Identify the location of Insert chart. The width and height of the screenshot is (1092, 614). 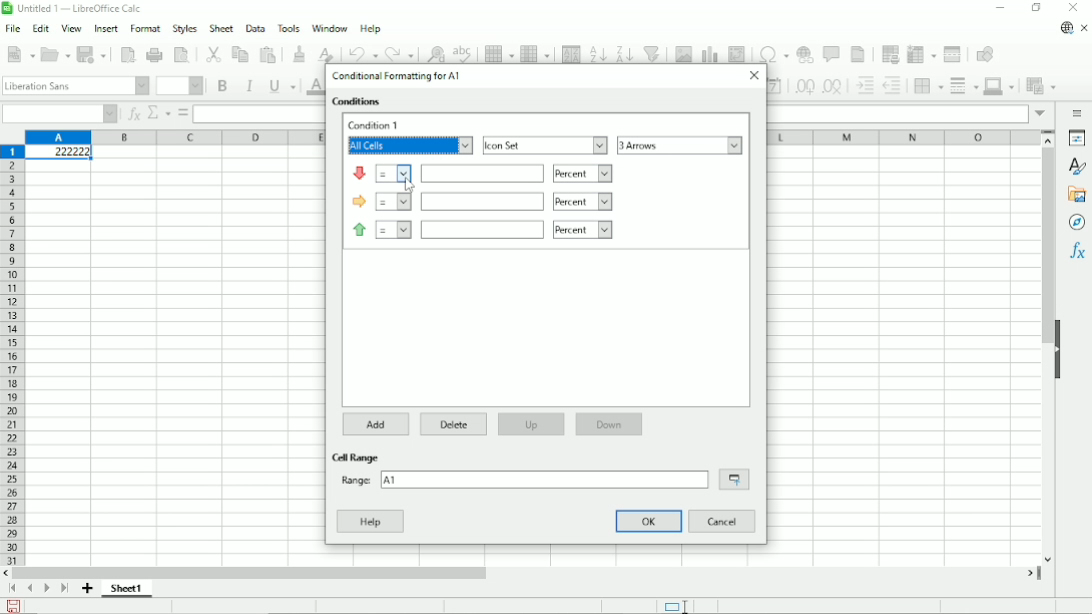
(709, 51).